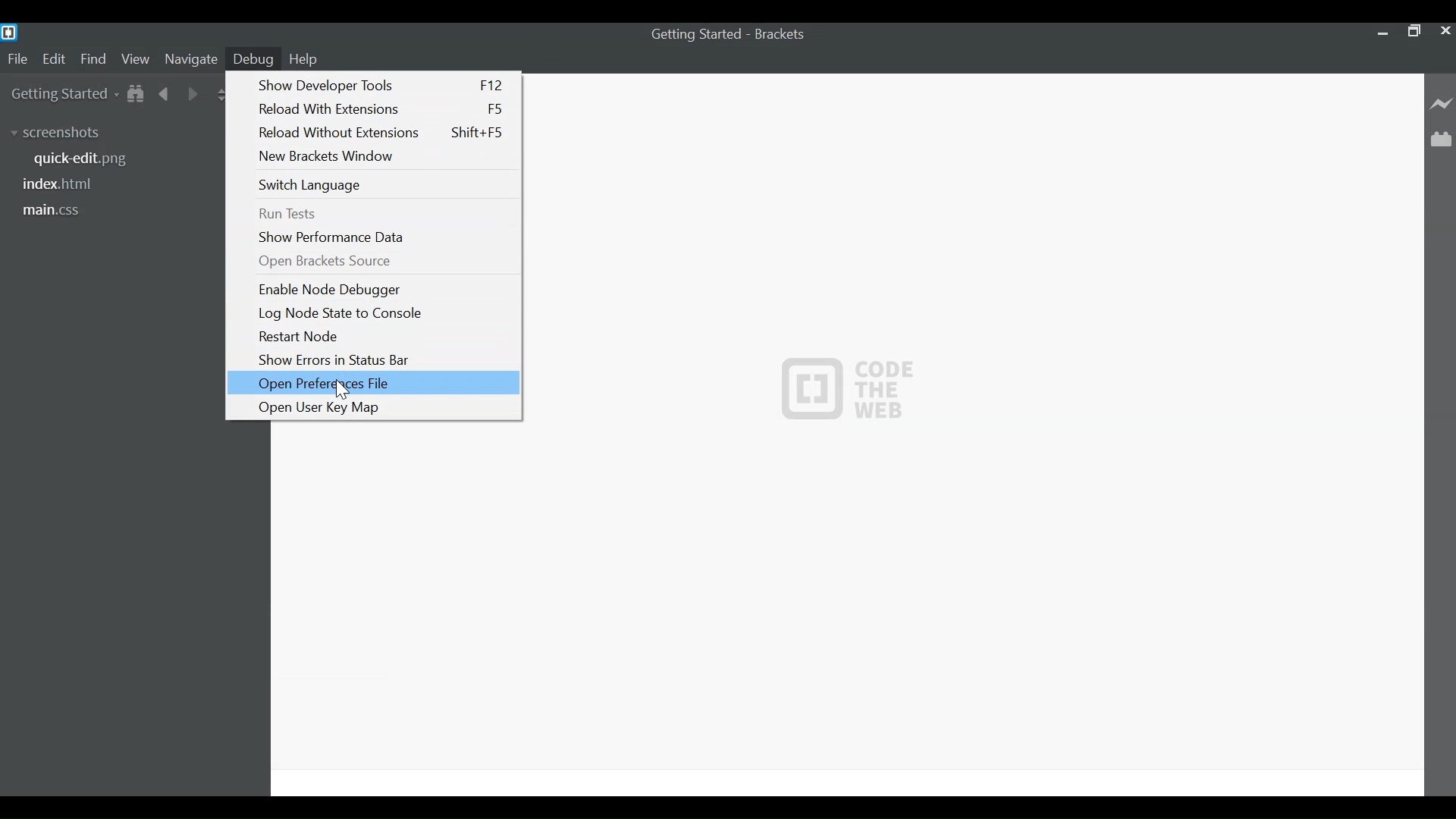 The image size is (1456, 819). I want to click on Maximize, so click(1414, 33).